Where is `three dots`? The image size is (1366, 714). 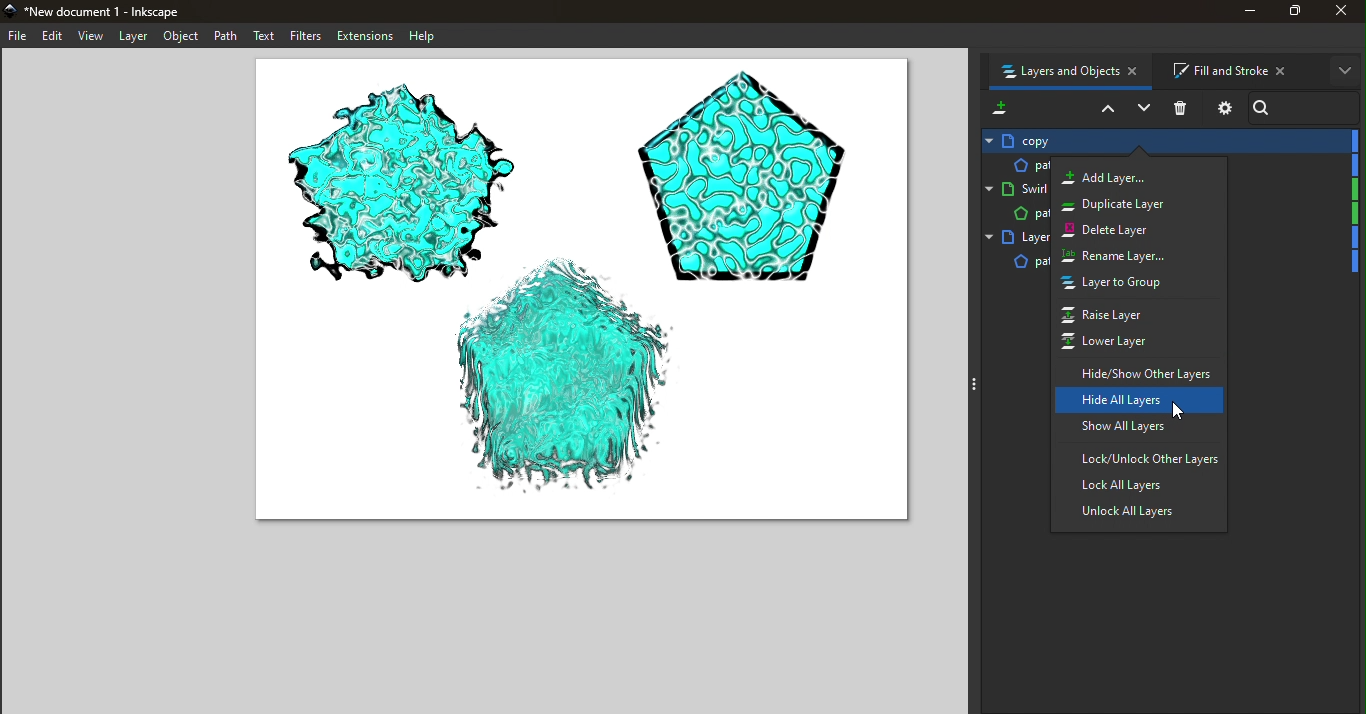 three dots is located at coordinates (977, 388).